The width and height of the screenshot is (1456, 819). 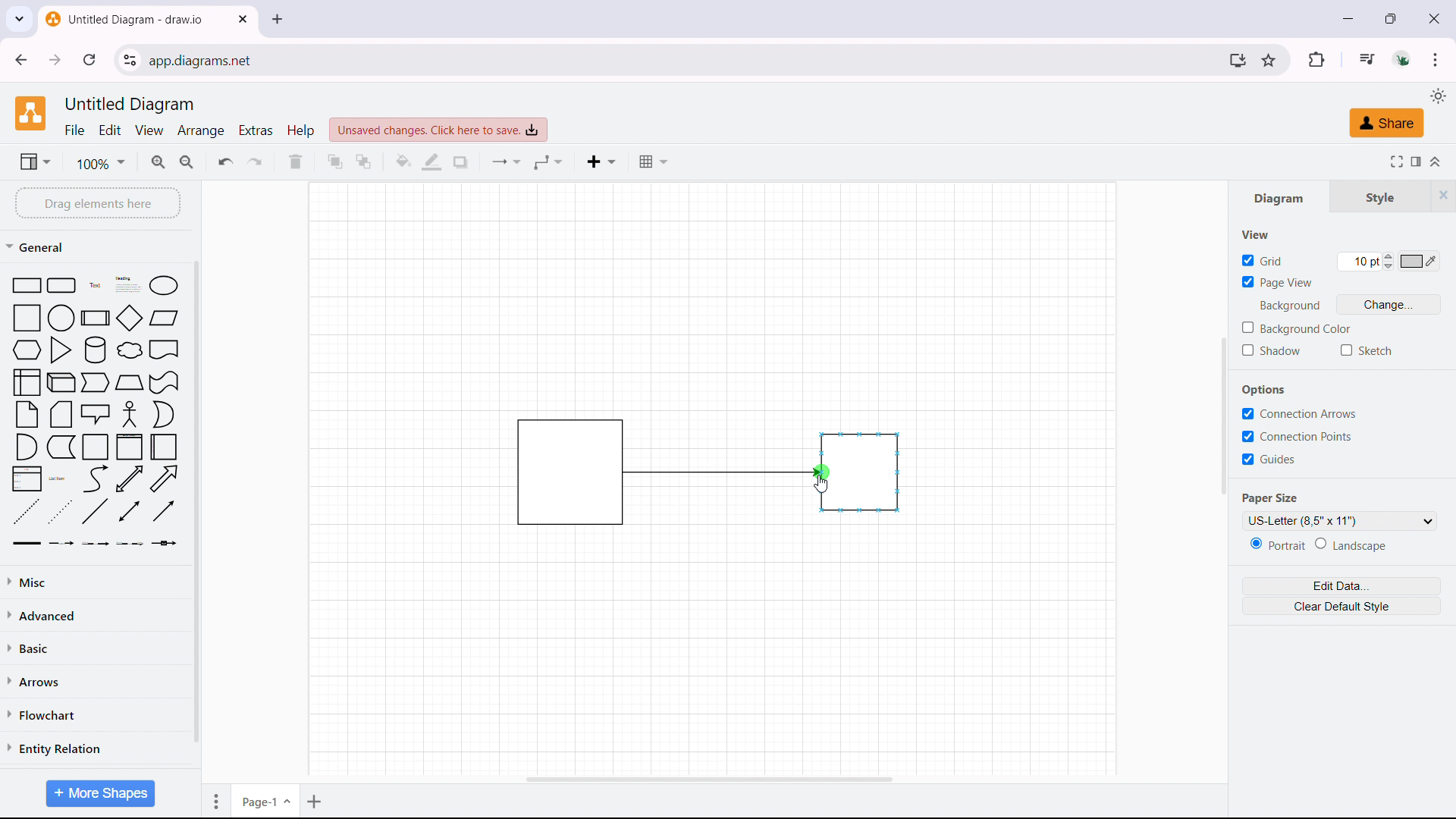 What do you see at coordinates (95, 680) in the screenshot?
I see `arrows` at bounding box center [95, 680].